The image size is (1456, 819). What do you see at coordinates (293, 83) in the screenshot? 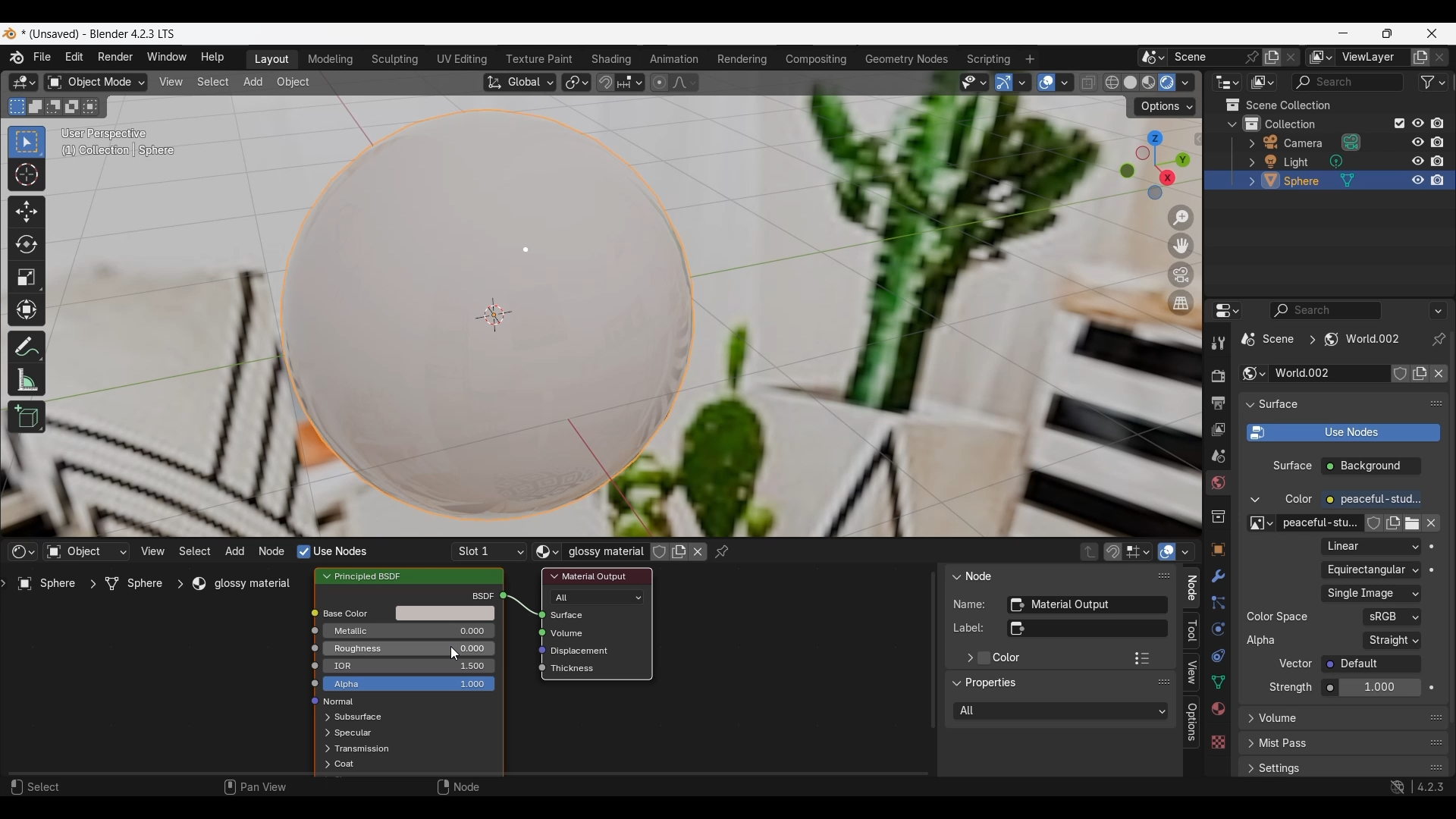
I see `Object menu` at bounding box center [293, 83].